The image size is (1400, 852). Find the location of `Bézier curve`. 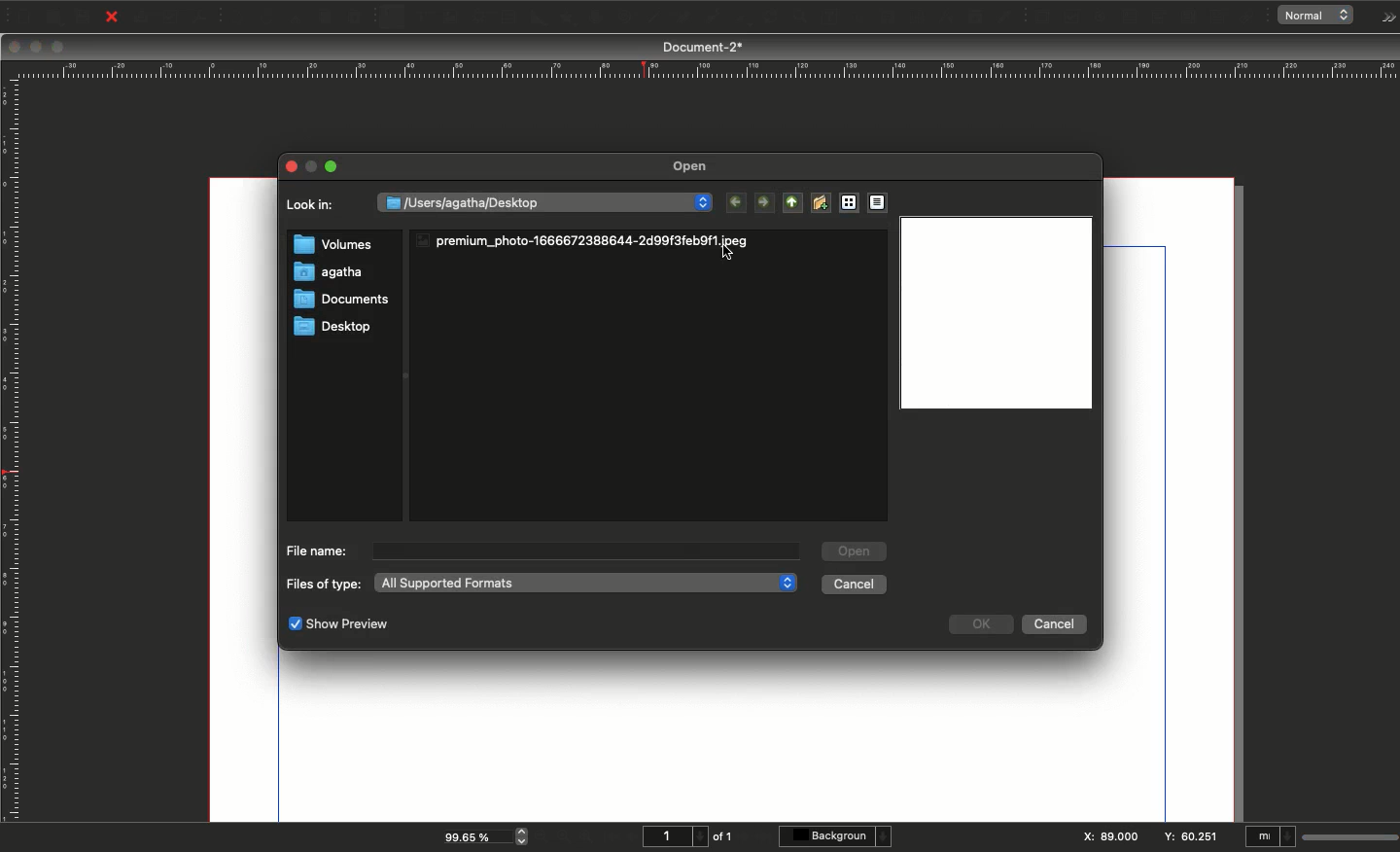

Bézier curve is located at coordinates (681, 18).